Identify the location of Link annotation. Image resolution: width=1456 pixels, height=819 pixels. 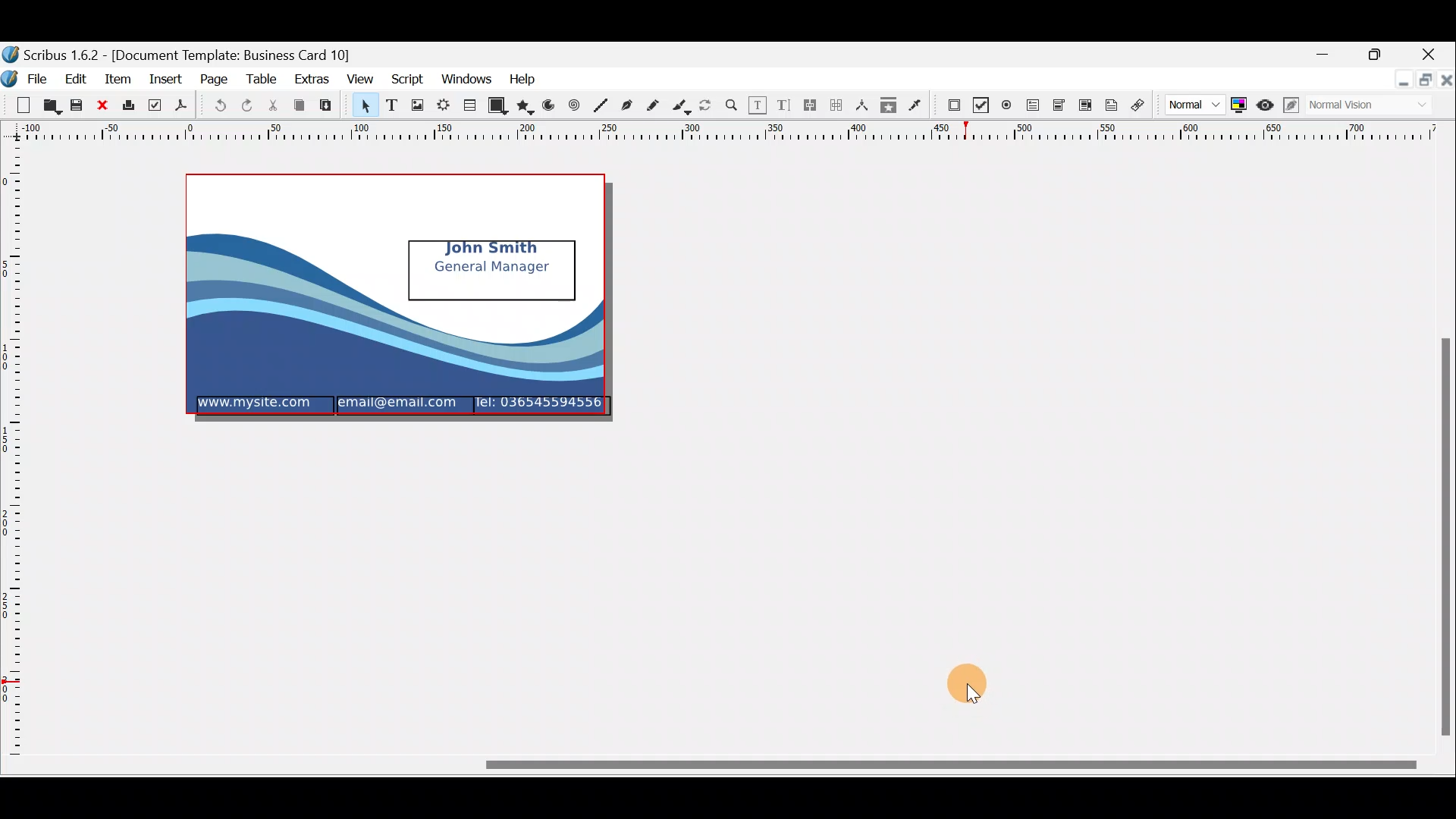
(1137, 106).